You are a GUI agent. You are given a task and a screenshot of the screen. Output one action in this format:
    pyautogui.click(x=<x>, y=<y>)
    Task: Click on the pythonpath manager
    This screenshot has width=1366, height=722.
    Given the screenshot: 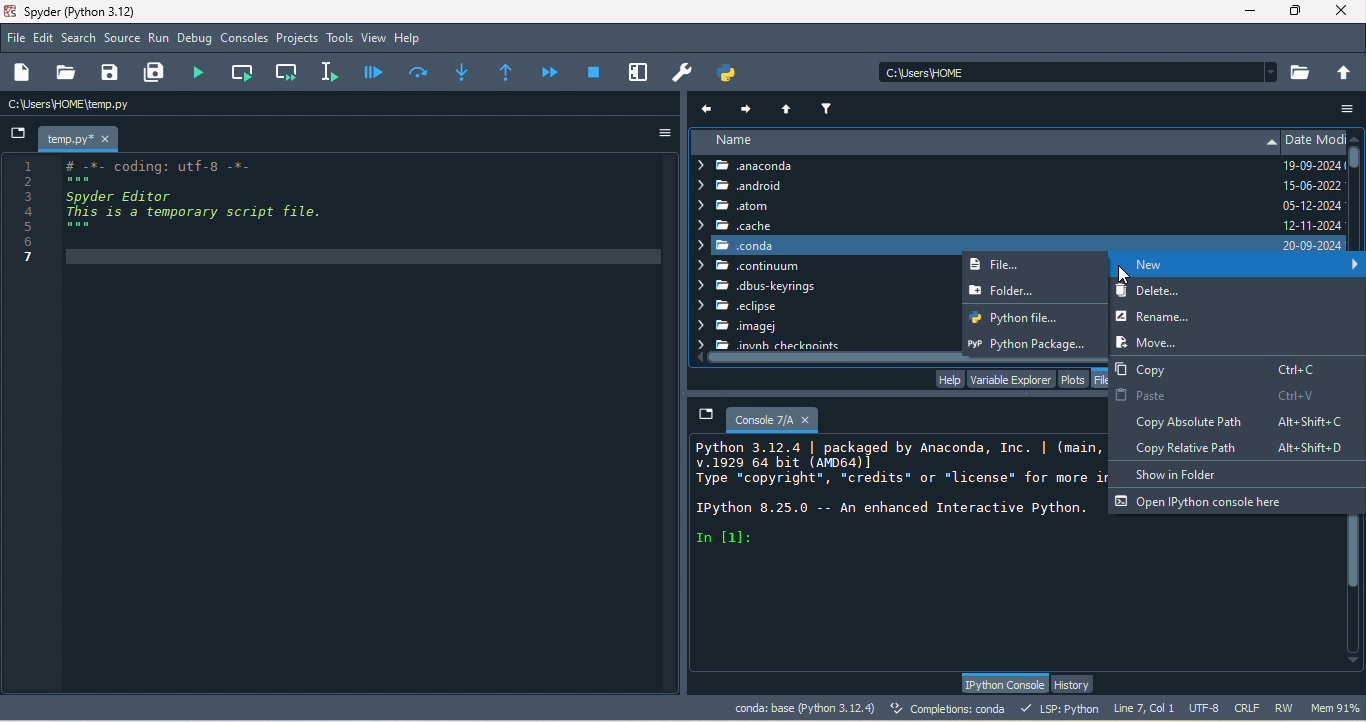 What is the action you would take?
    pyautogui.click(x=732, y=73)
    